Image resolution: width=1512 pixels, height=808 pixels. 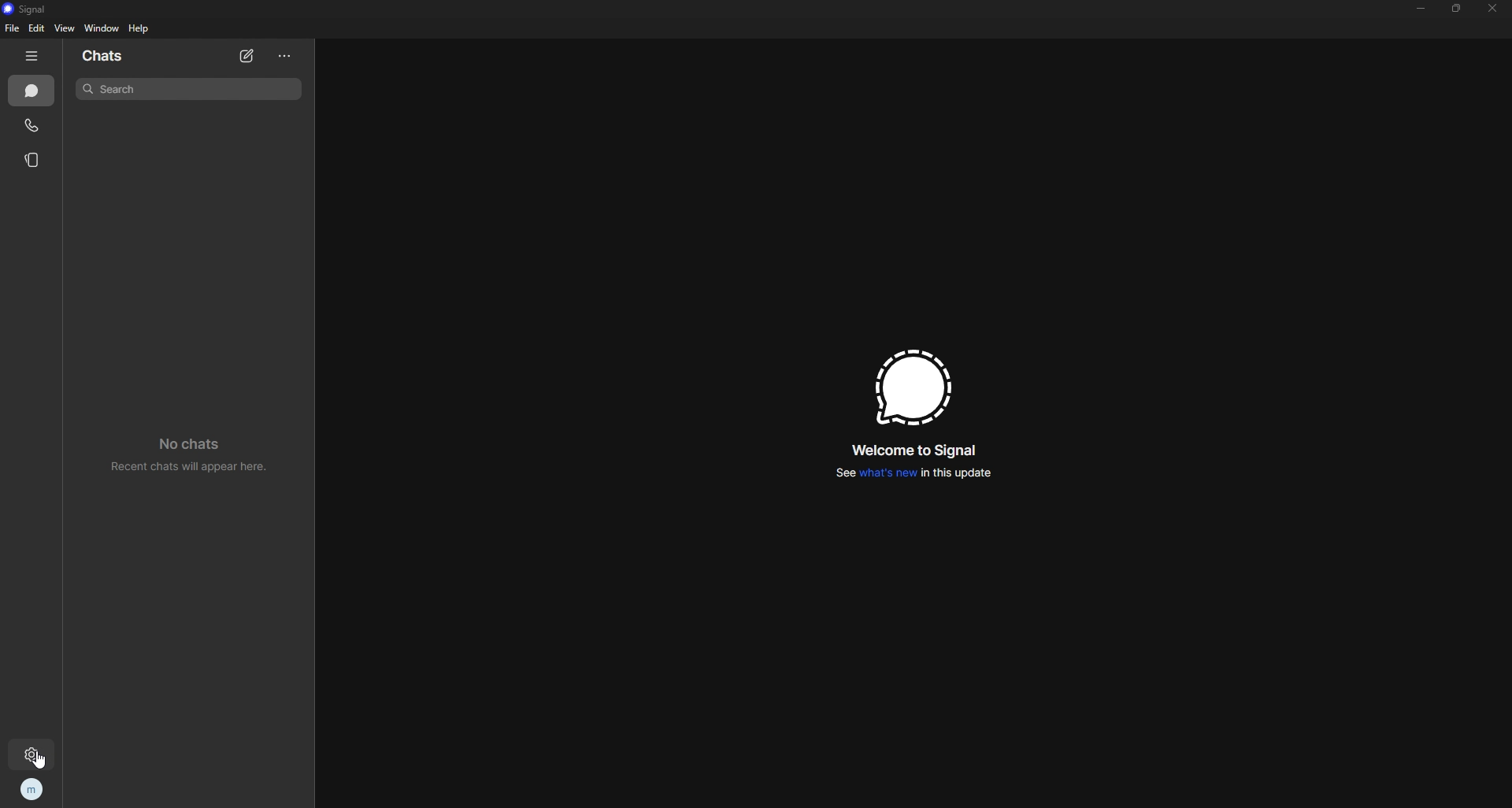 What do you see at coordinates (46, 759) in the screenshot?
I see `cursor` at bounding box center [46, 759].